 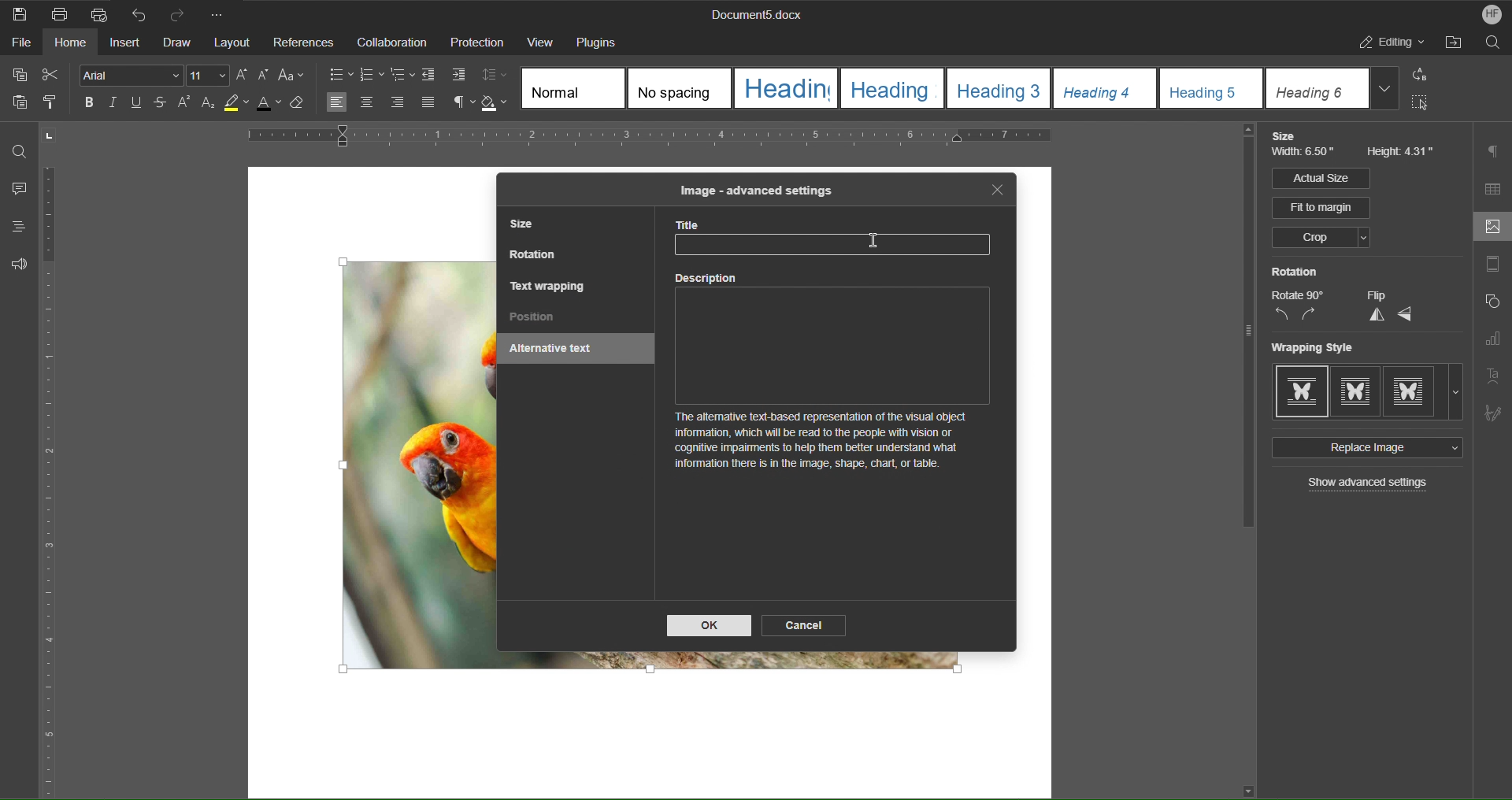 What do you see at coordinates (837, 380) in the screenshot?
I see `Description` at bounding box center [837, 380].